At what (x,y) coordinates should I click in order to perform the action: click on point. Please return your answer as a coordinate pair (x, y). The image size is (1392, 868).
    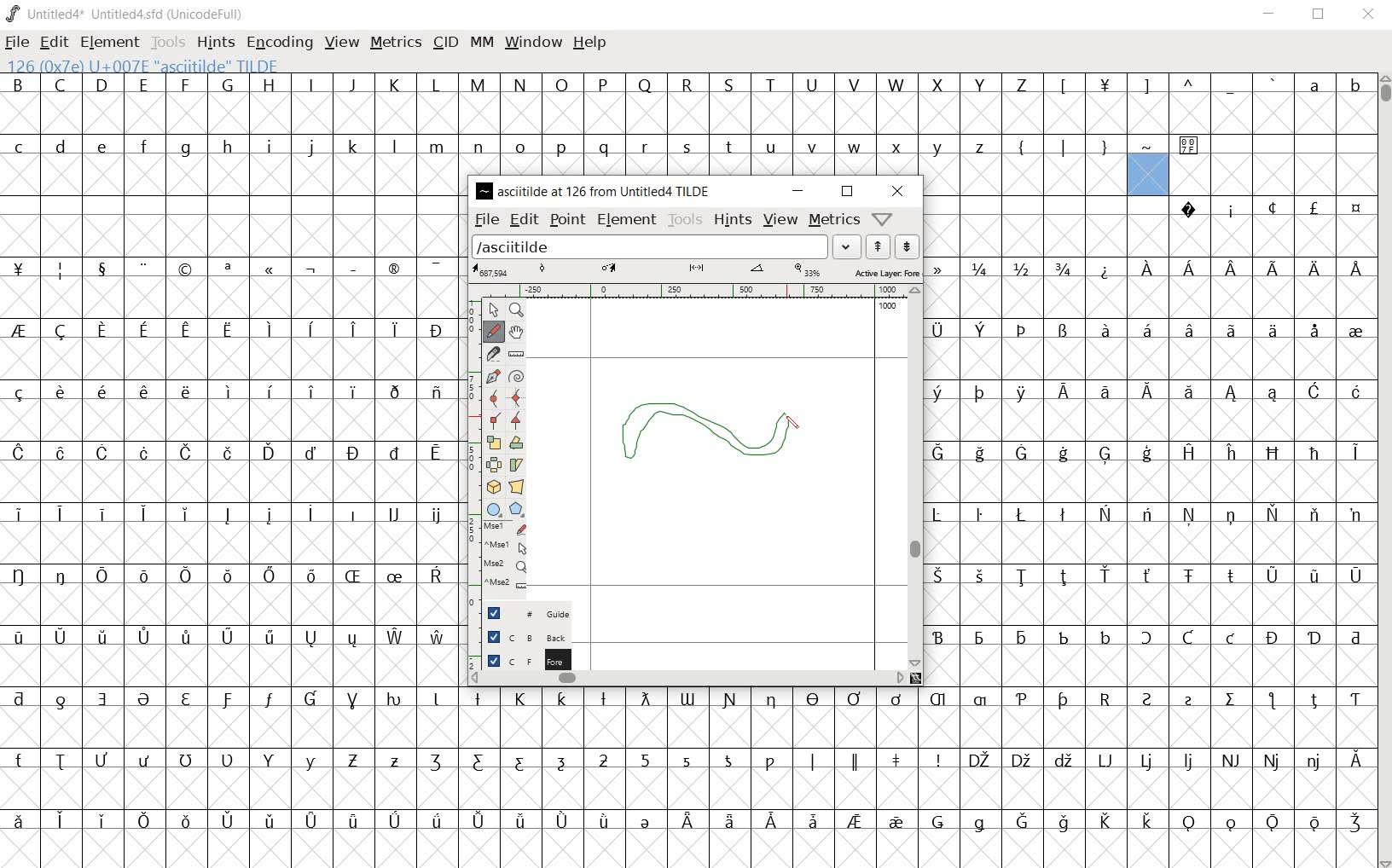
    Looking at the image, I should click on (568, 220).